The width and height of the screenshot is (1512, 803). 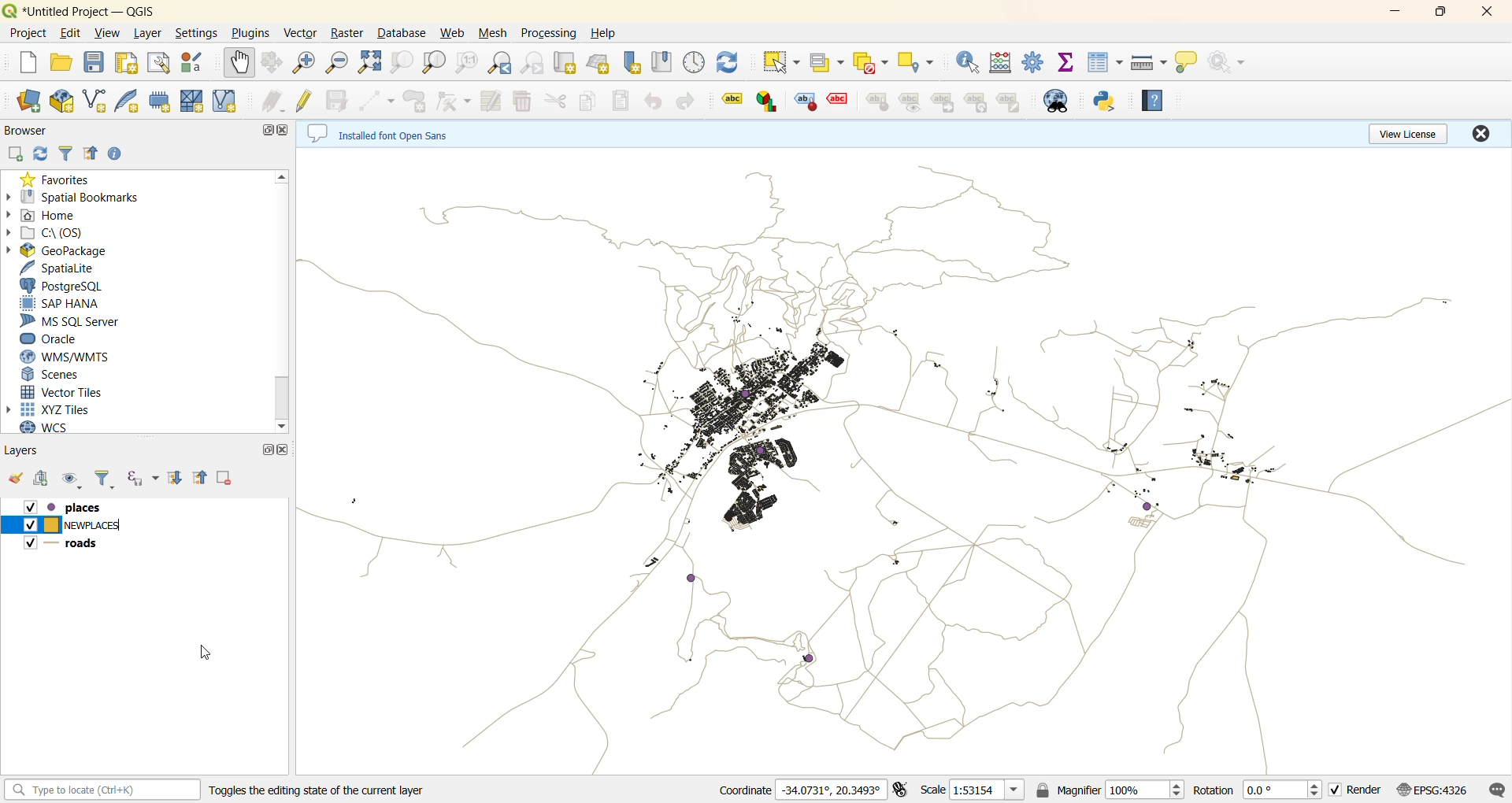 I want to click on toggle edits, so click(x=307, y=100).